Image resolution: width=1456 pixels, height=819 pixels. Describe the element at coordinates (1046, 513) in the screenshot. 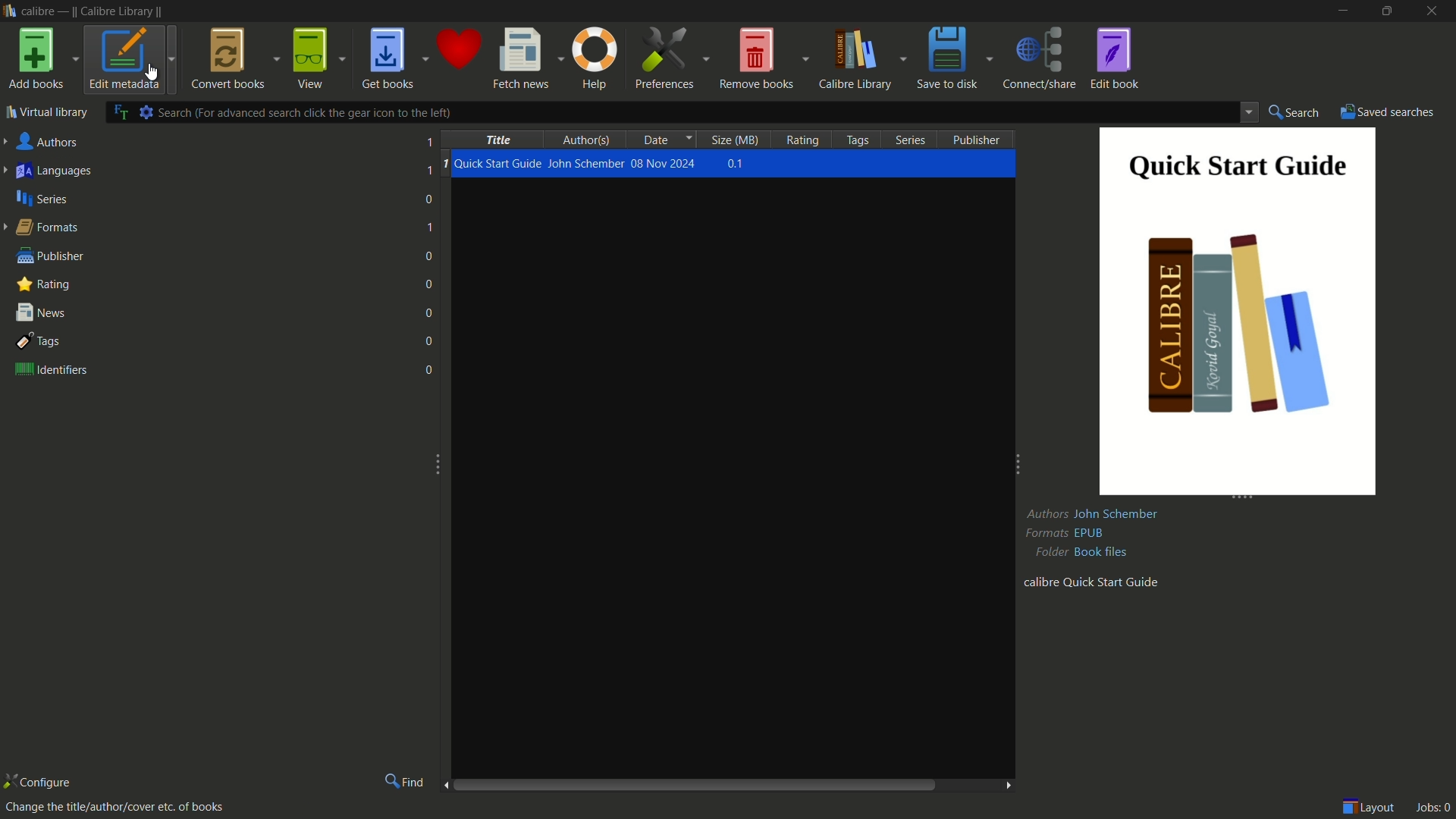

I see `Authors` at that location.